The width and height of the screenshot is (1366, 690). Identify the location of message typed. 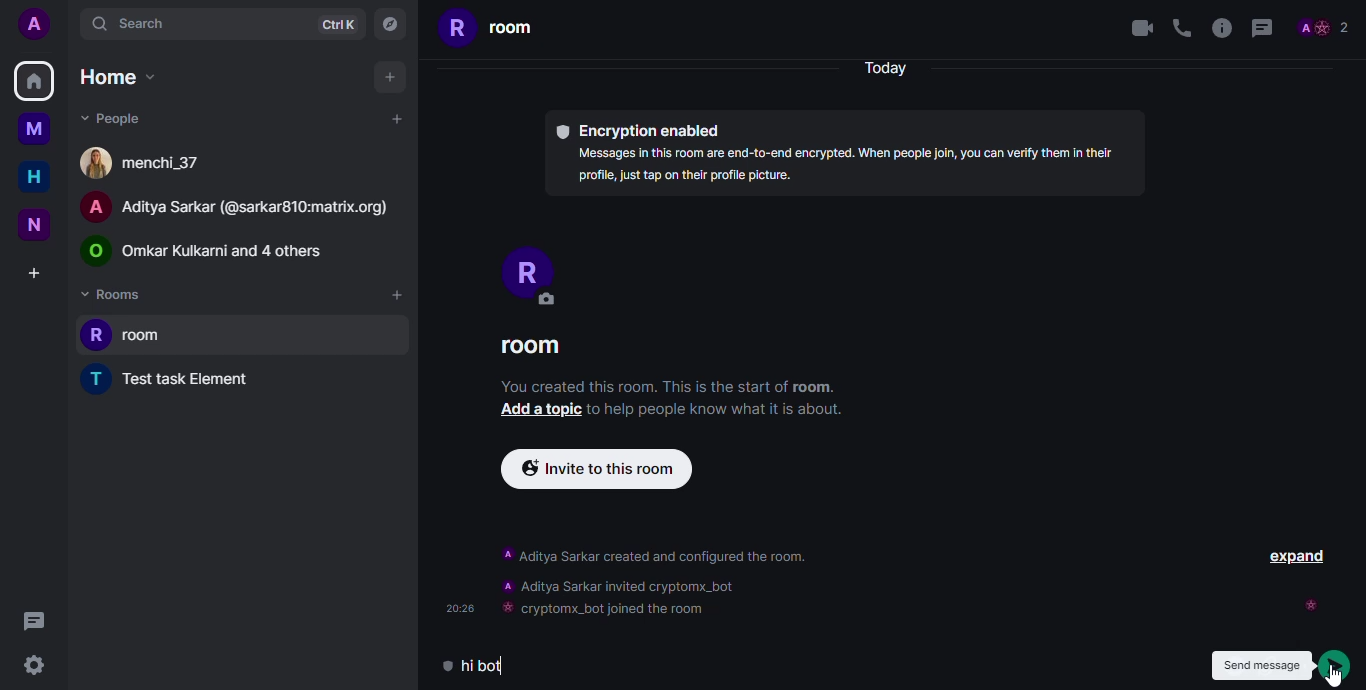
(474, 666).